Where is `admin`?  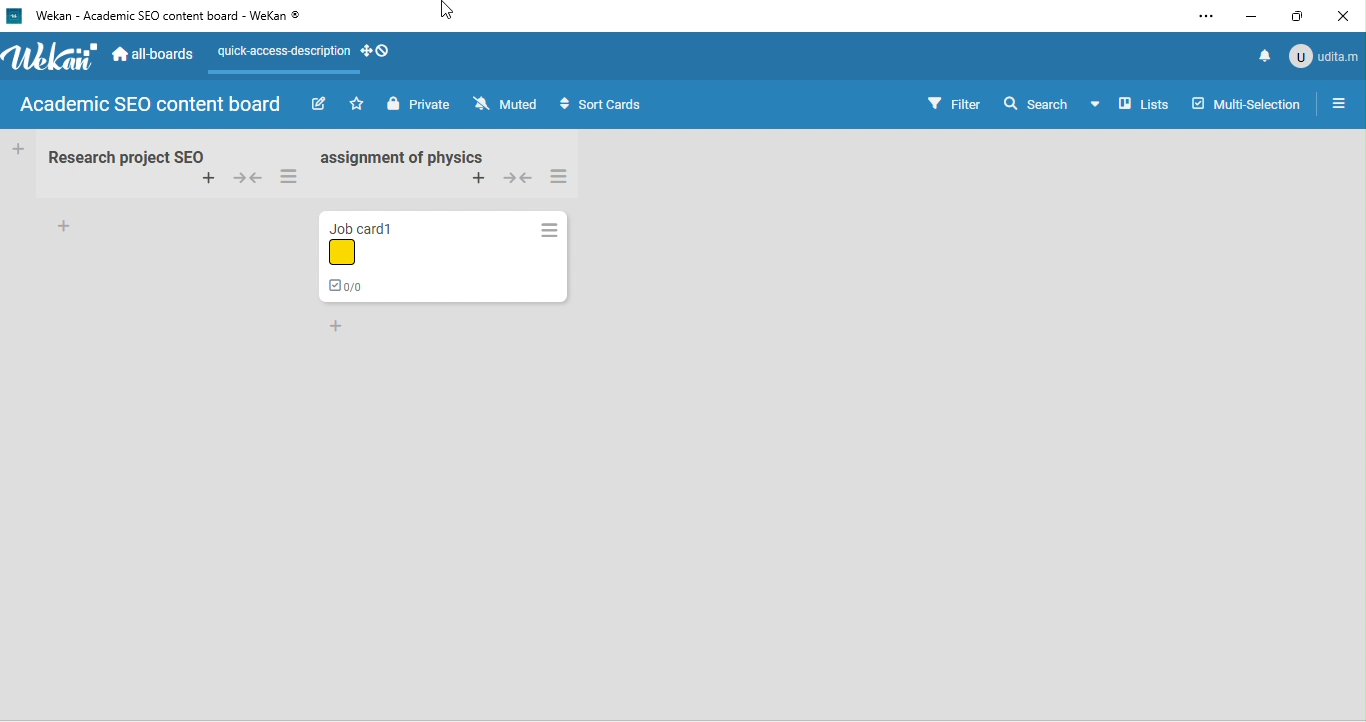 admin is located at coordinates (1325, 55).